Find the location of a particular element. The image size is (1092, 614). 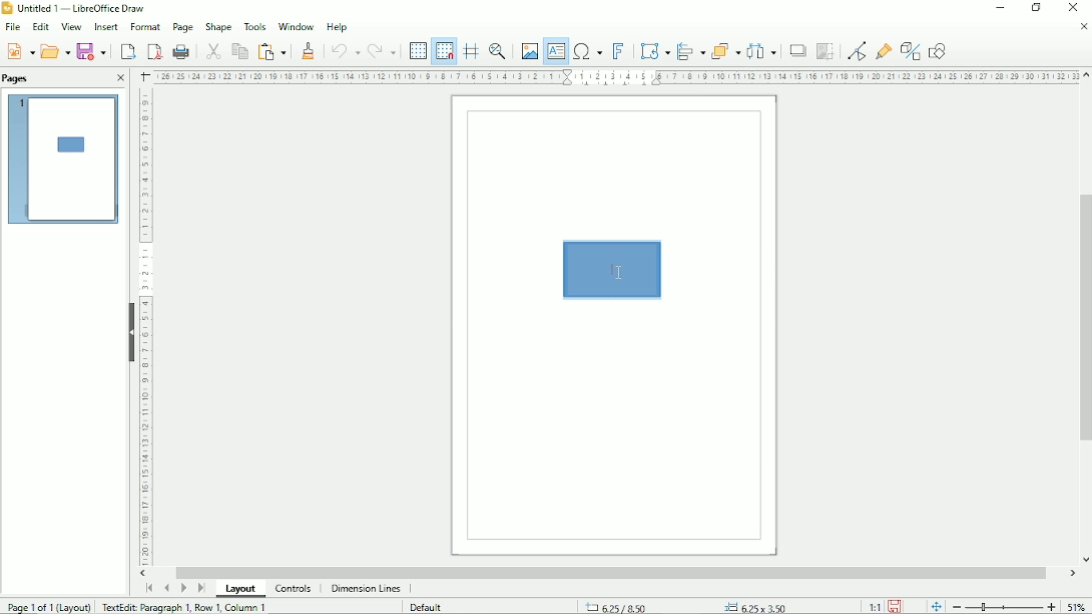

Close is located at coordinates (1083, 27).